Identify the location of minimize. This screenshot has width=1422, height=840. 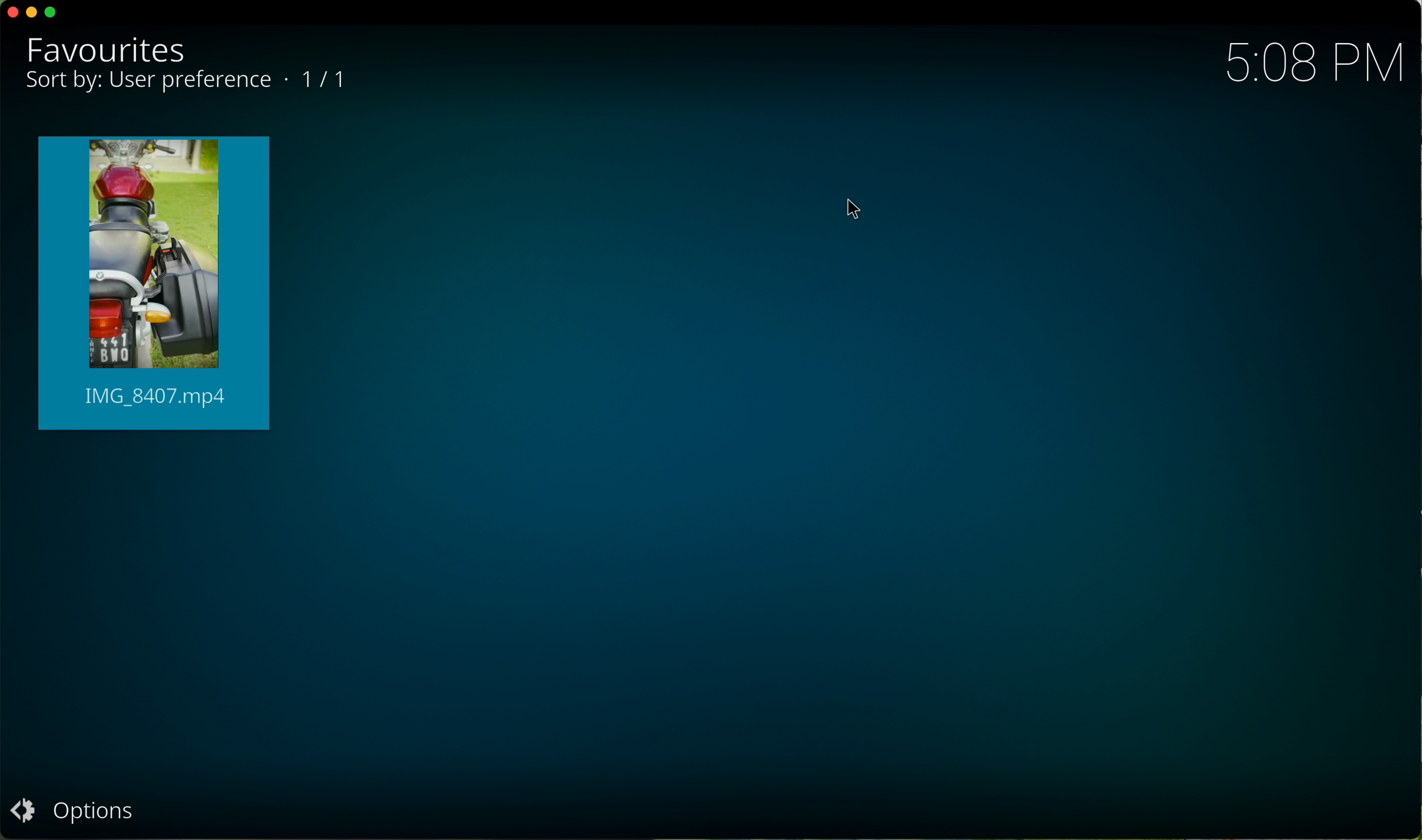
(35, 14).